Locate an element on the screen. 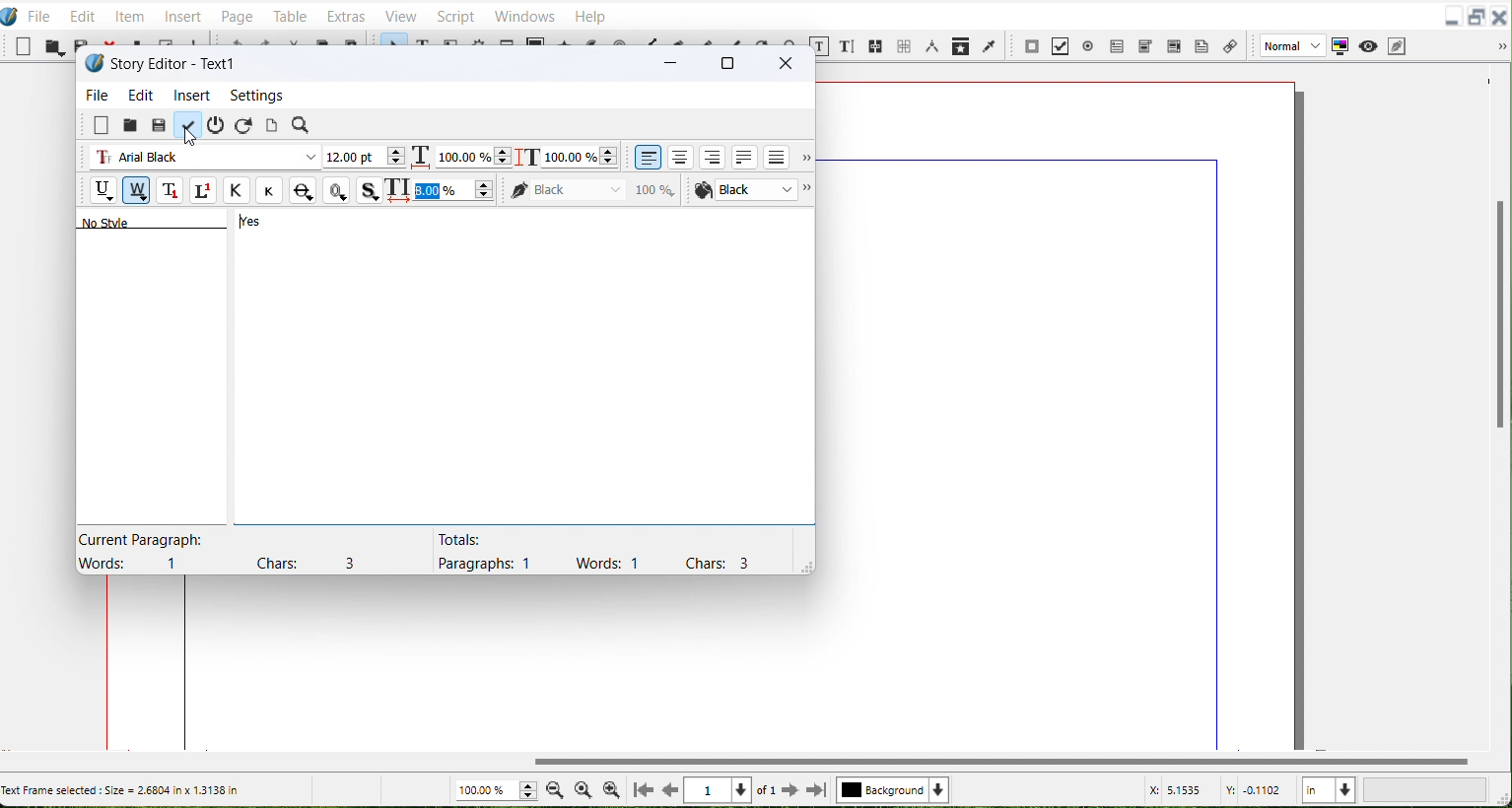 Image resolution: width=1512 pixels, height=808 pixels. Font  is located at coordinates (201, 156).